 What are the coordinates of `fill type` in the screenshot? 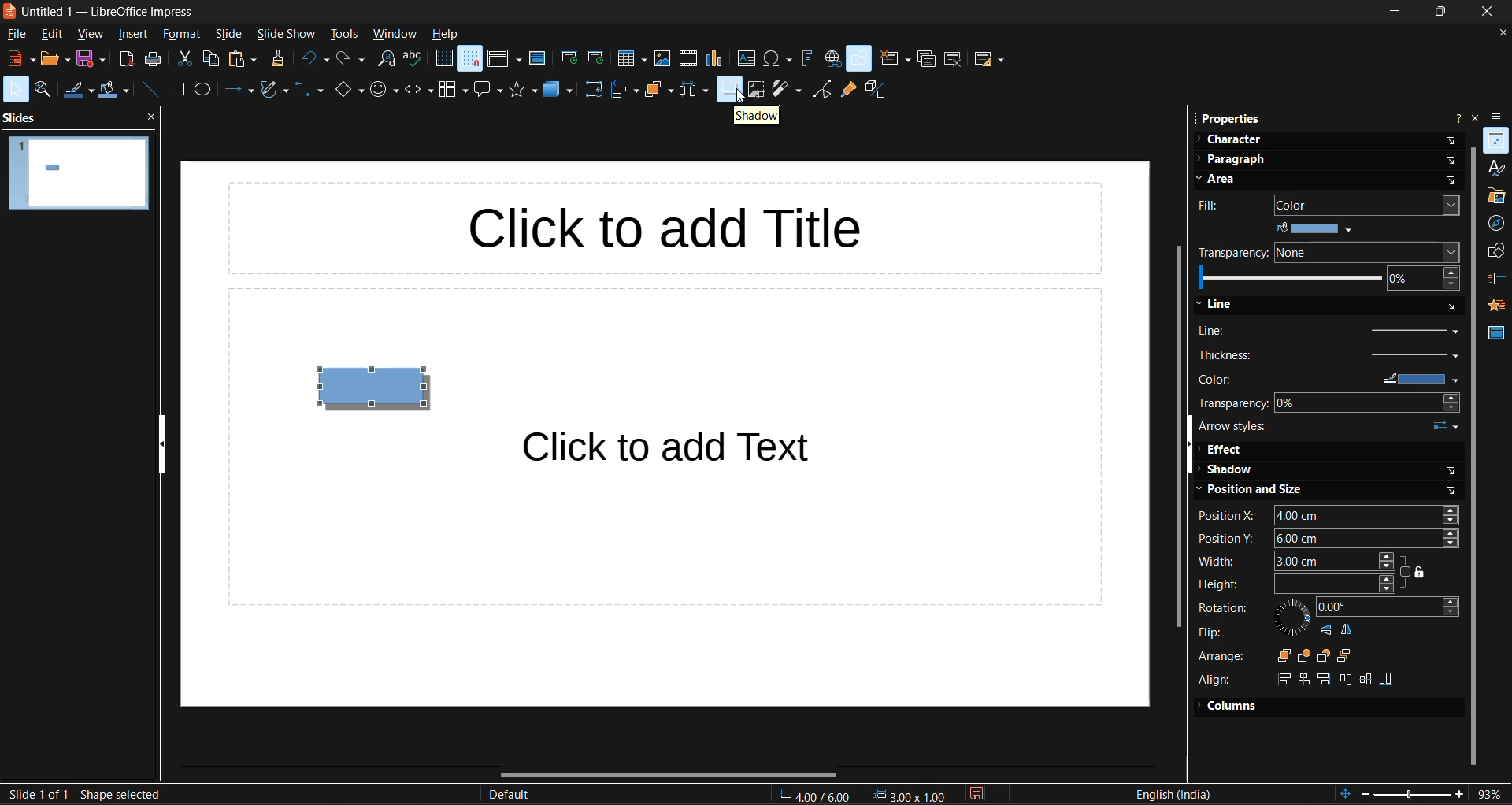 It's located at (1368, 206).